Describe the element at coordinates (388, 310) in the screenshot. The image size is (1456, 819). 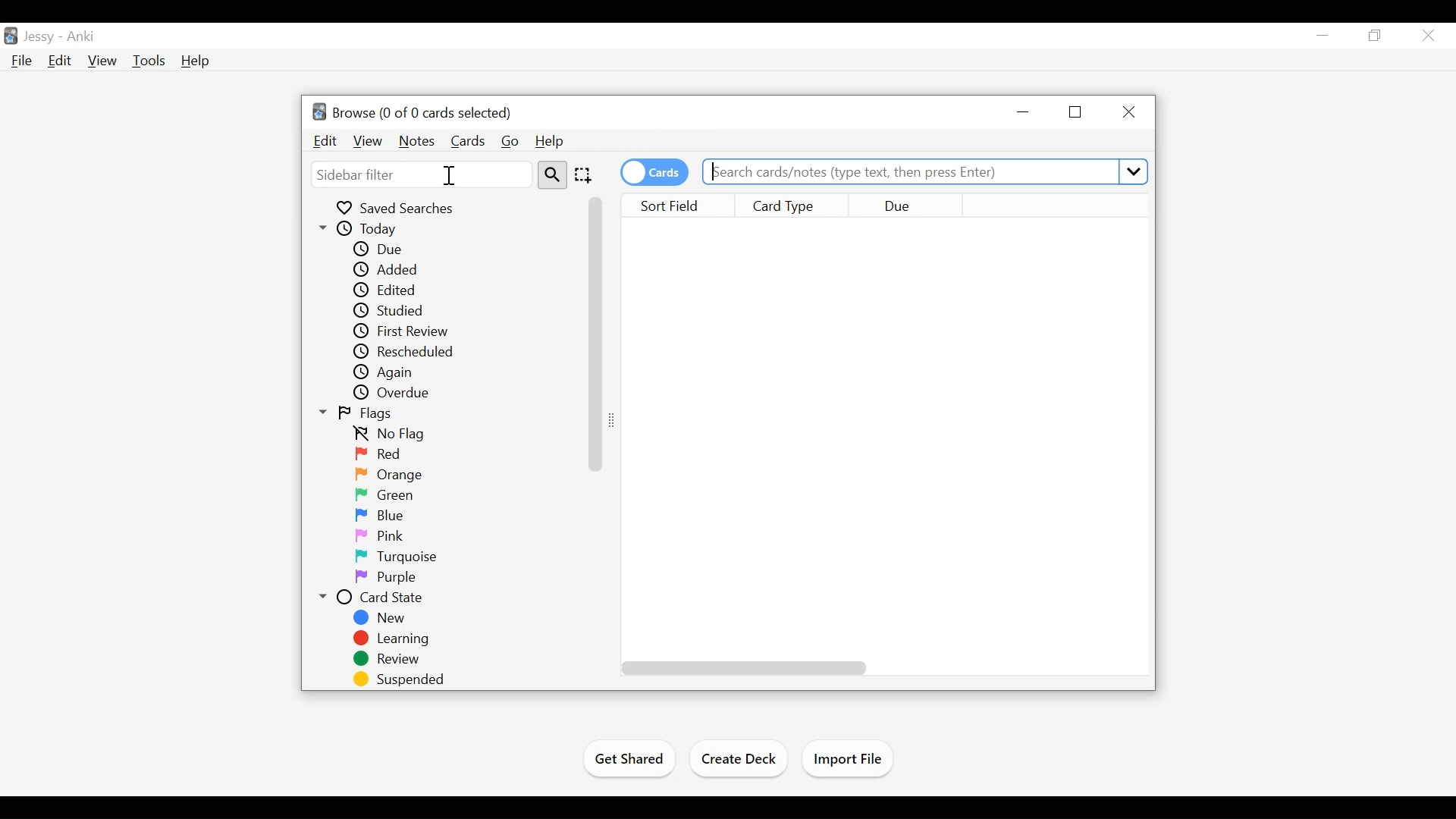
I see `Studied` at that location.